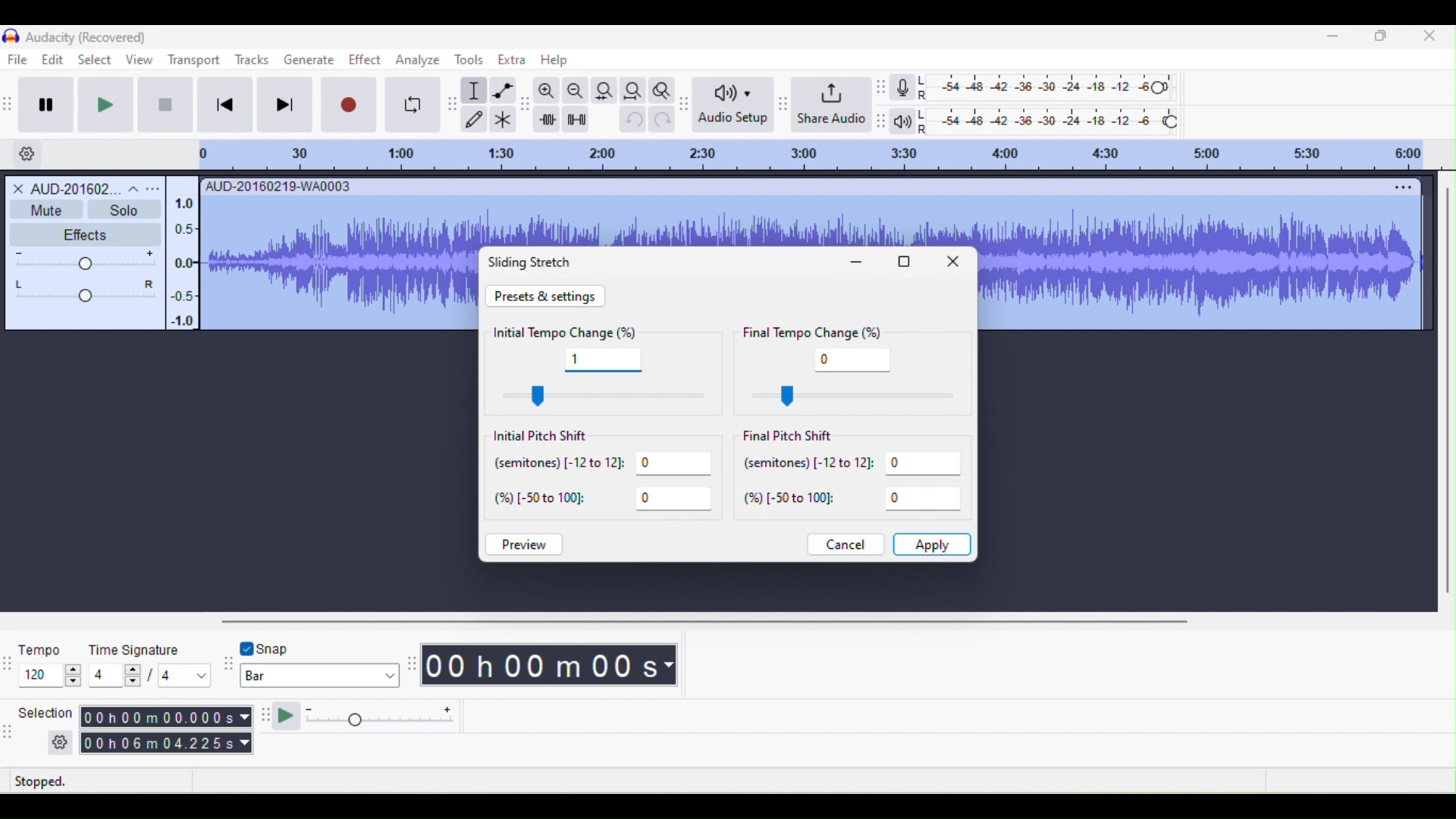 The width and height of the screenshot is (1456, 819). Describe the element at coordinates (809, 155) in the screenshot. I see `Rating scale` at that location.